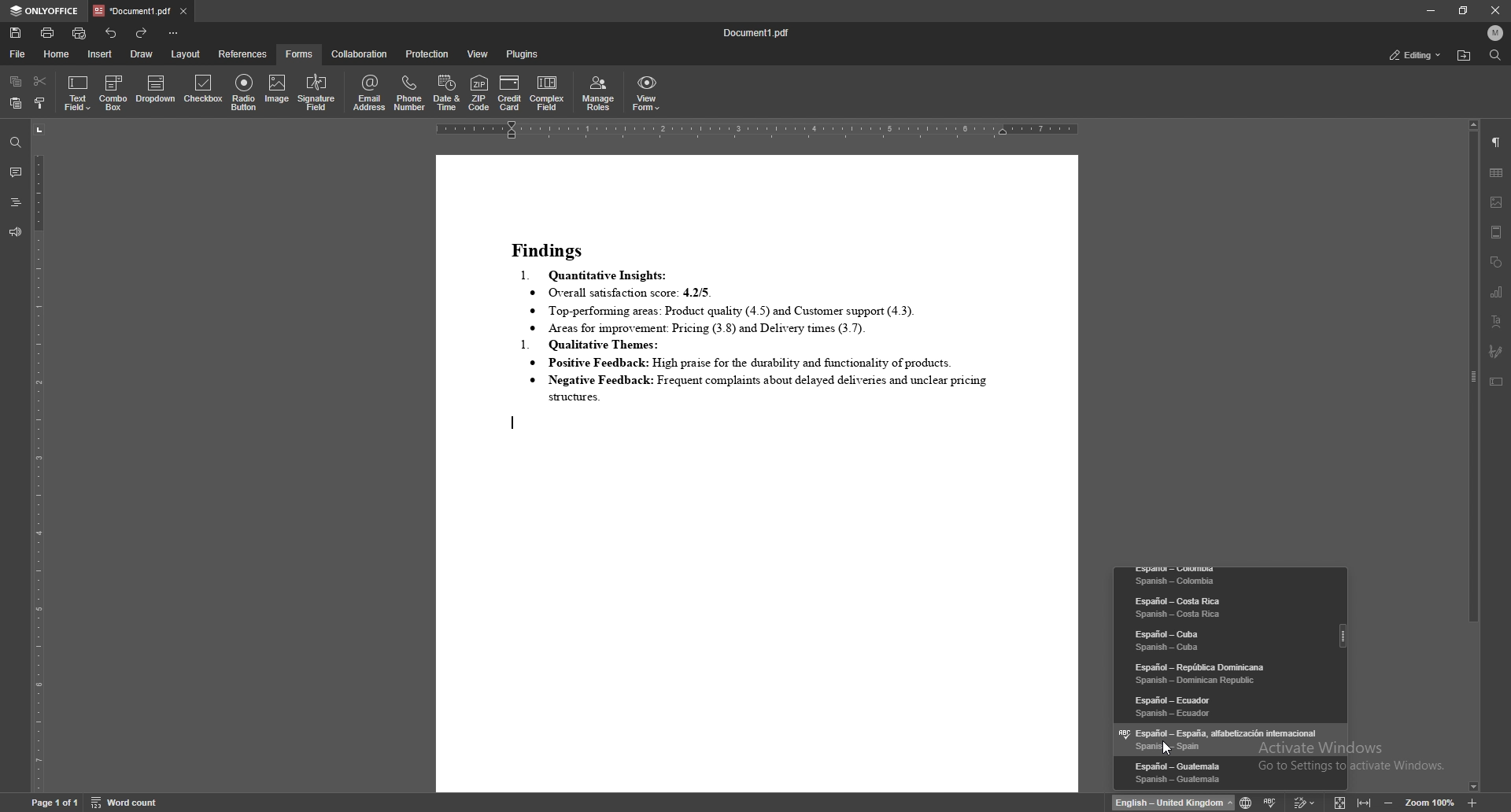 The image size is (1511, 812). What do you see at coordinates (78, 93) in the screenshot?
I see `text field` at bounding box center [78, 93].